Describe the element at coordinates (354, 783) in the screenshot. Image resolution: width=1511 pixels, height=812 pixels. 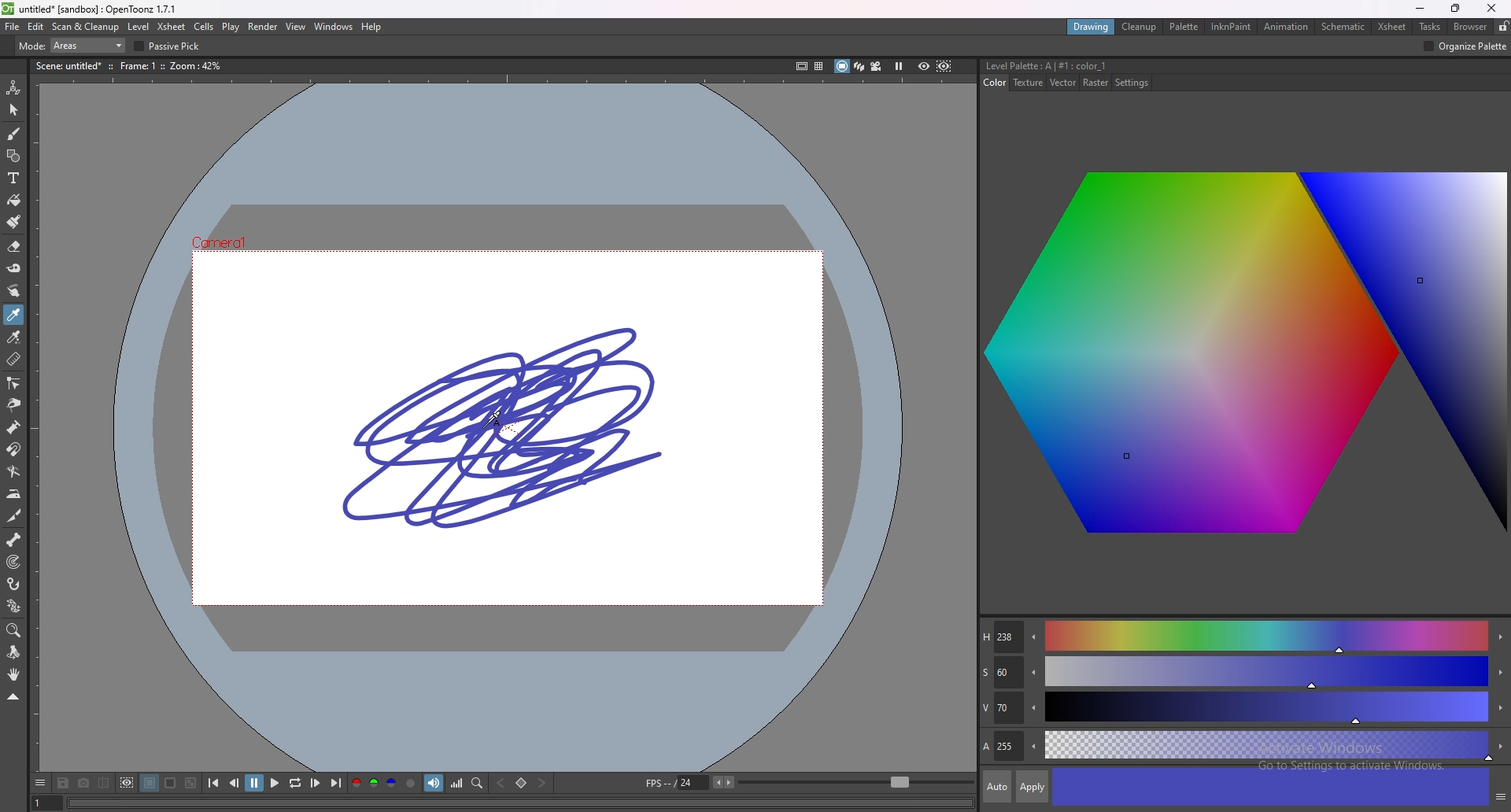
I see `red channel` at that location.